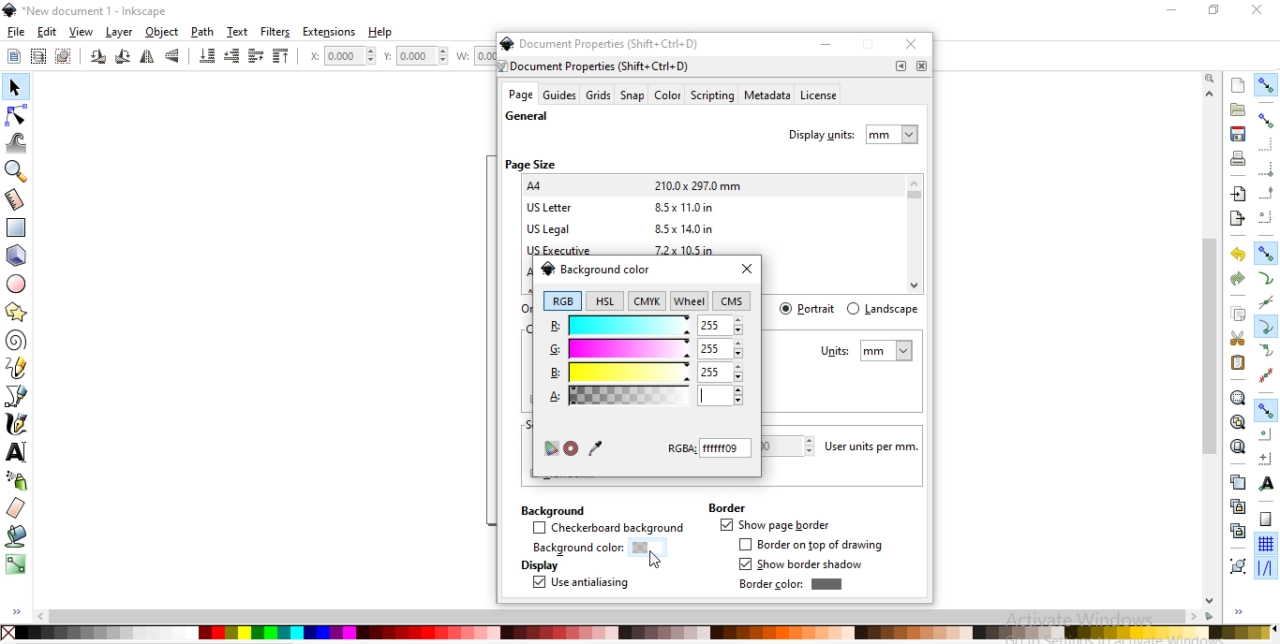 The height and width of the screenshot is (644, 1280). What do you see at coordinates (17, 394) in the screenshot?
I see `draw bezier curves and straight lines` at bounding box center [17, 394].